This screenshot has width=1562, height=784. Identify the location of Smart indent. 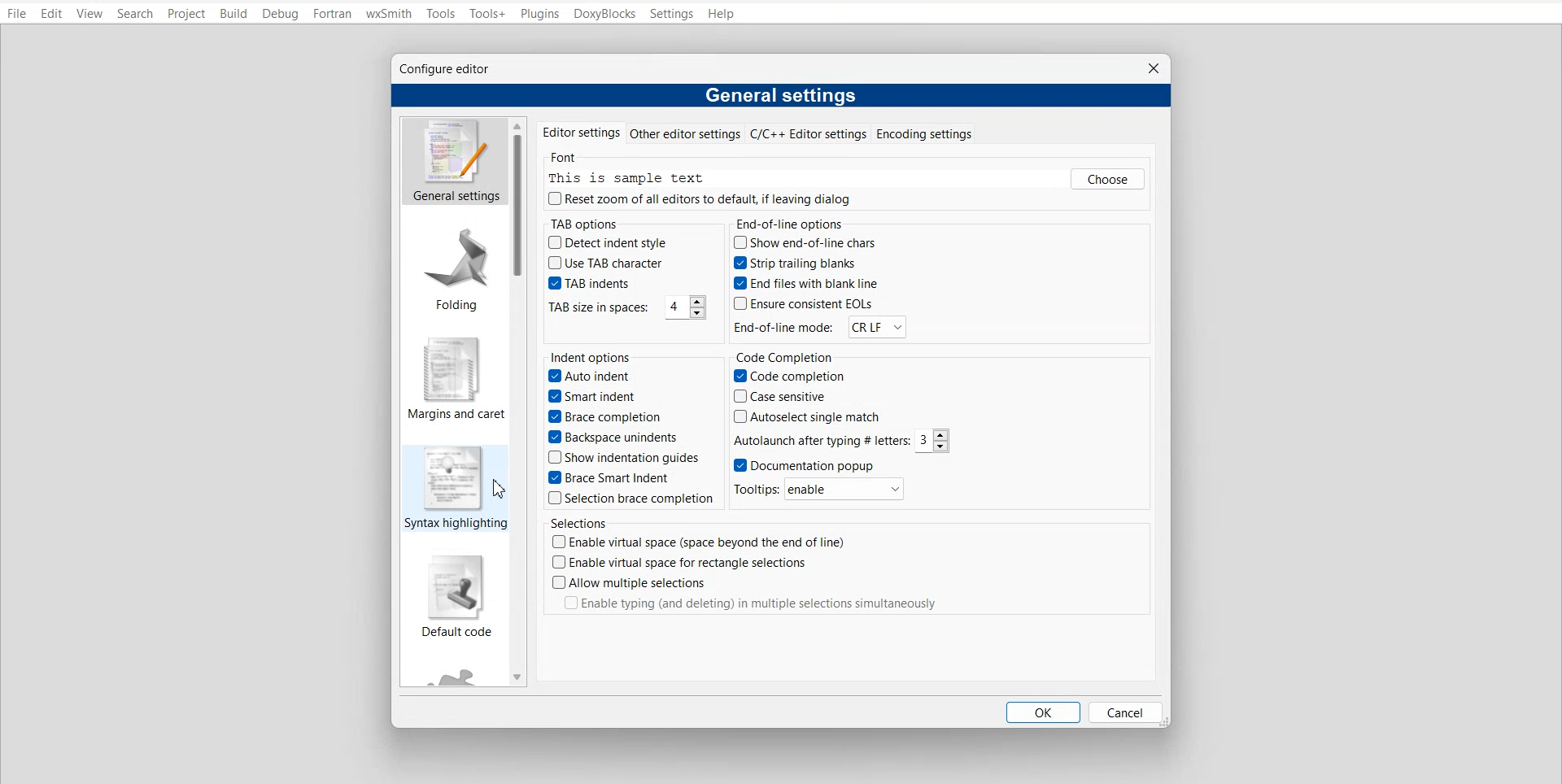
(592, 396).